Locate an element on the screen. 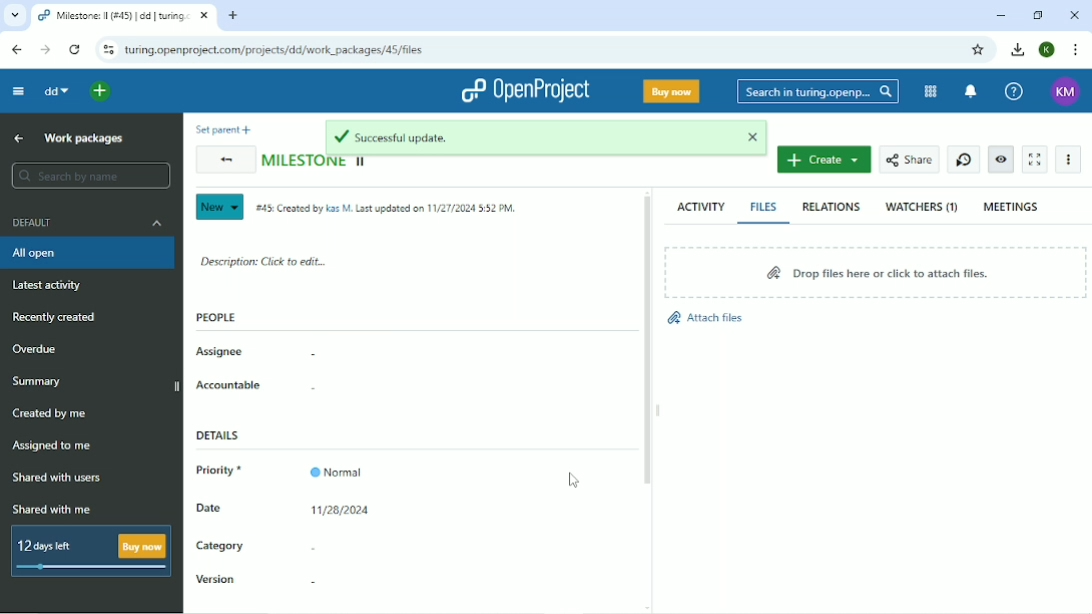  Search is located at coordinates (817, 92).